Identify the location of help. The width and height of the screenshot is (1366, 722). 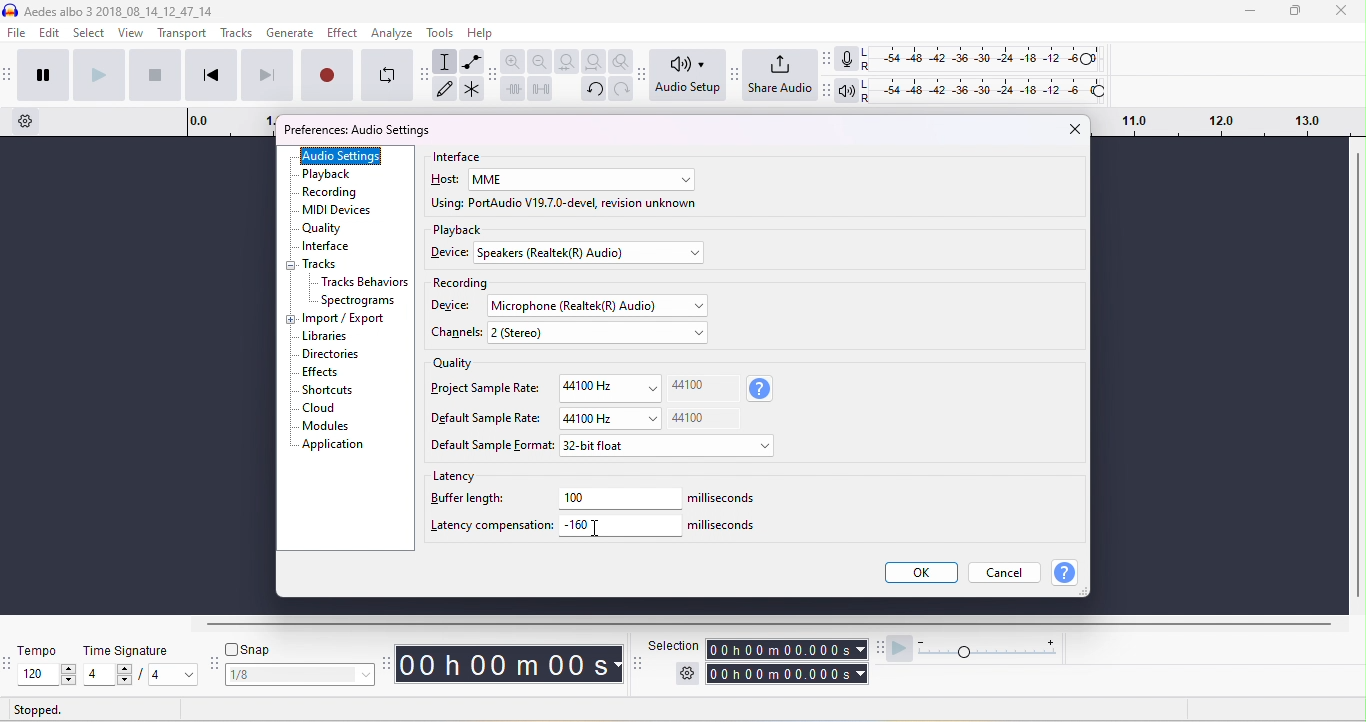
(480, 32).